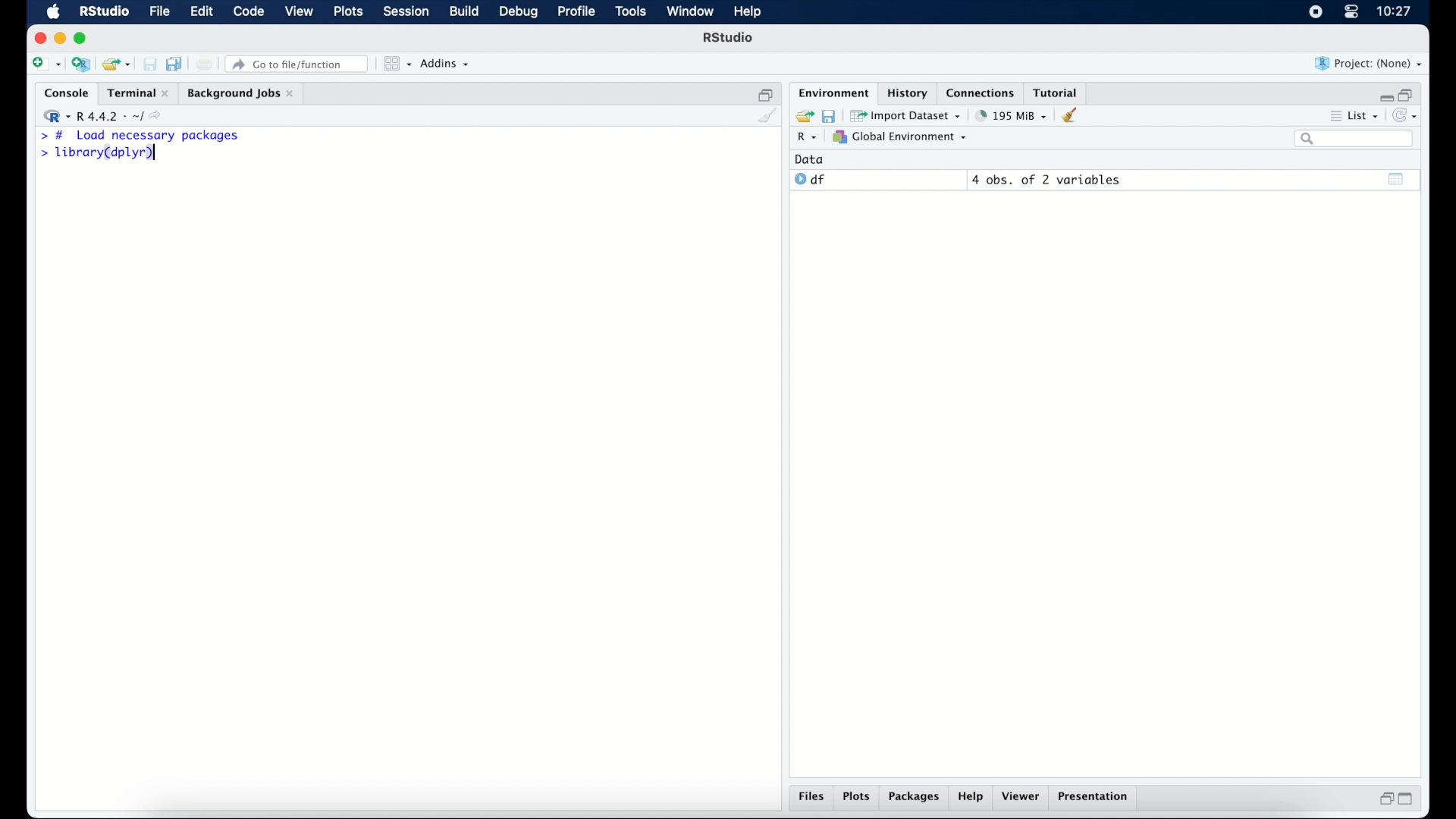  I want to click on viewer, so click(1024, 798).